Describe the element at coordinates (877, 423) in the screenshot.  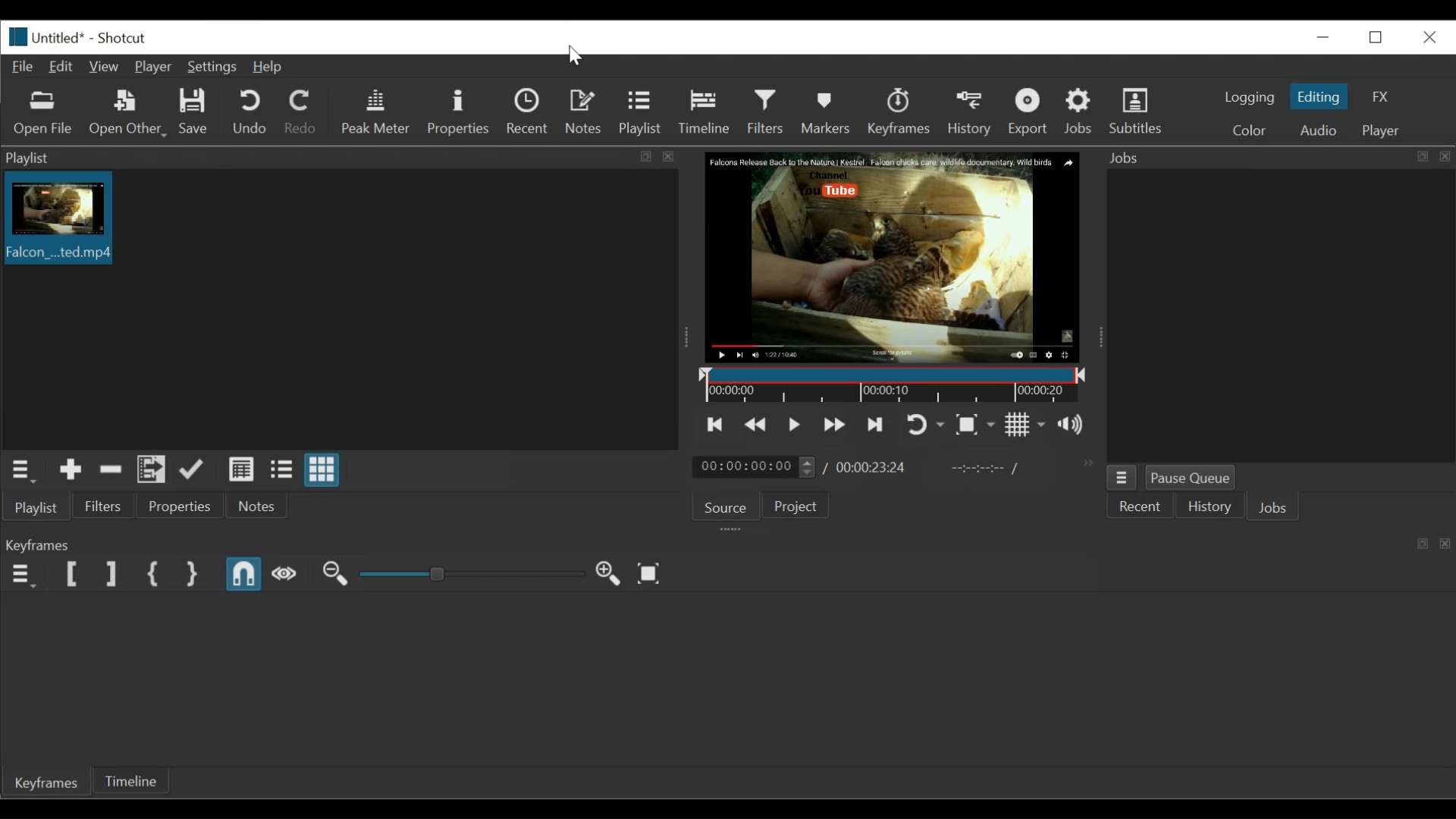
I see `Skip to the next point` at that location.